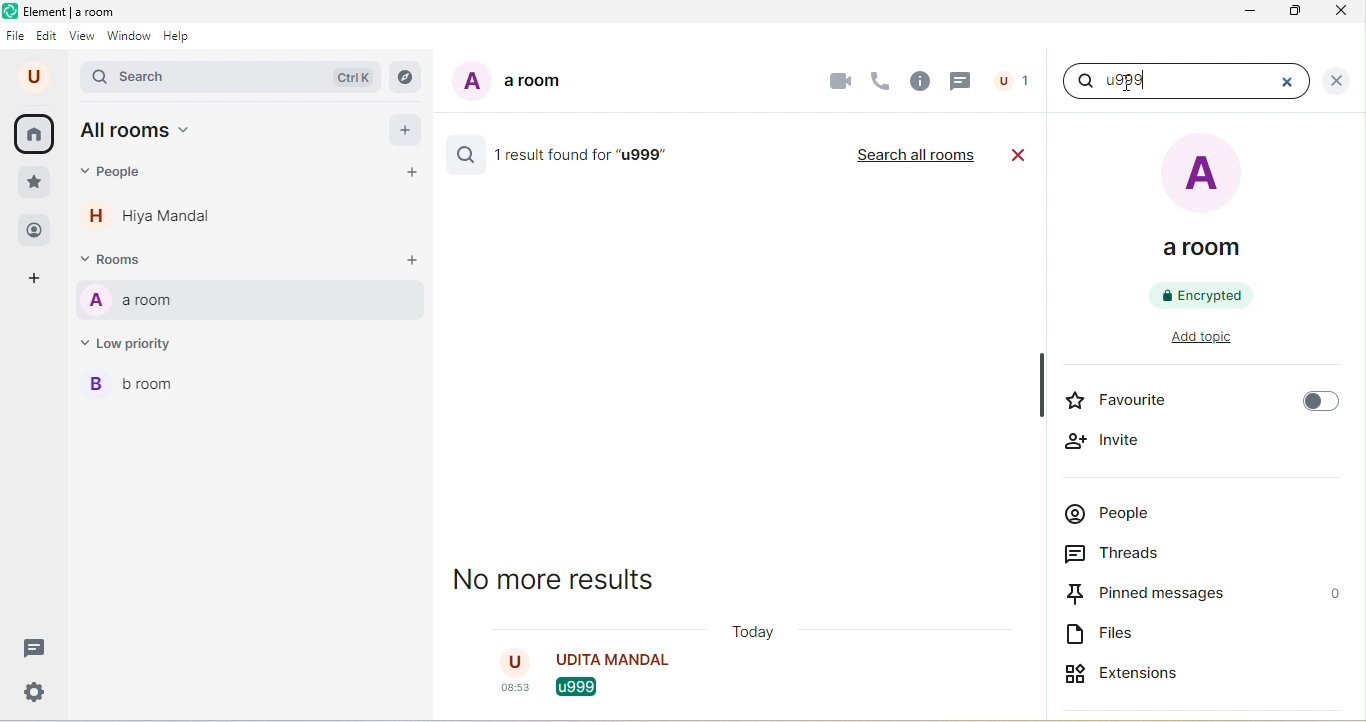 The height and width of the screenshot is (722, 1366). I want to click on udita mandal, so click(606, 661).